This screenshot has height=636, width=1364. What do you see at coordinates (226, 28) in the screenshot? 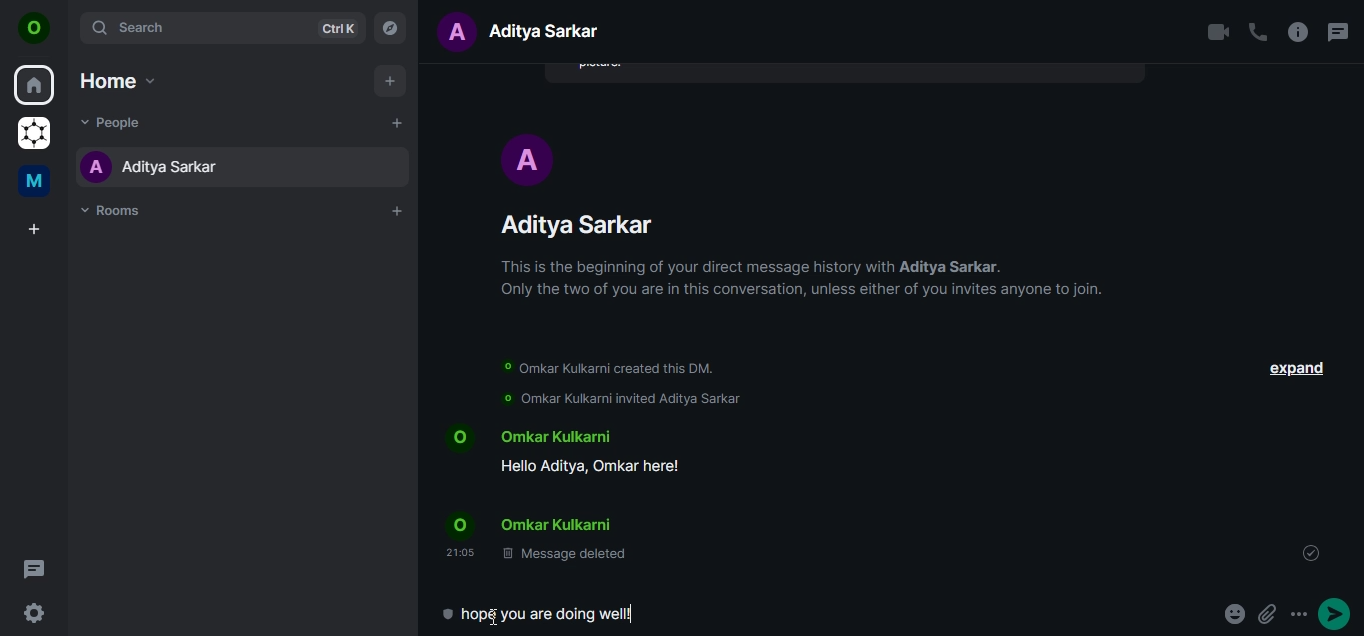
I see `search ` at bounding box center [226, 28].